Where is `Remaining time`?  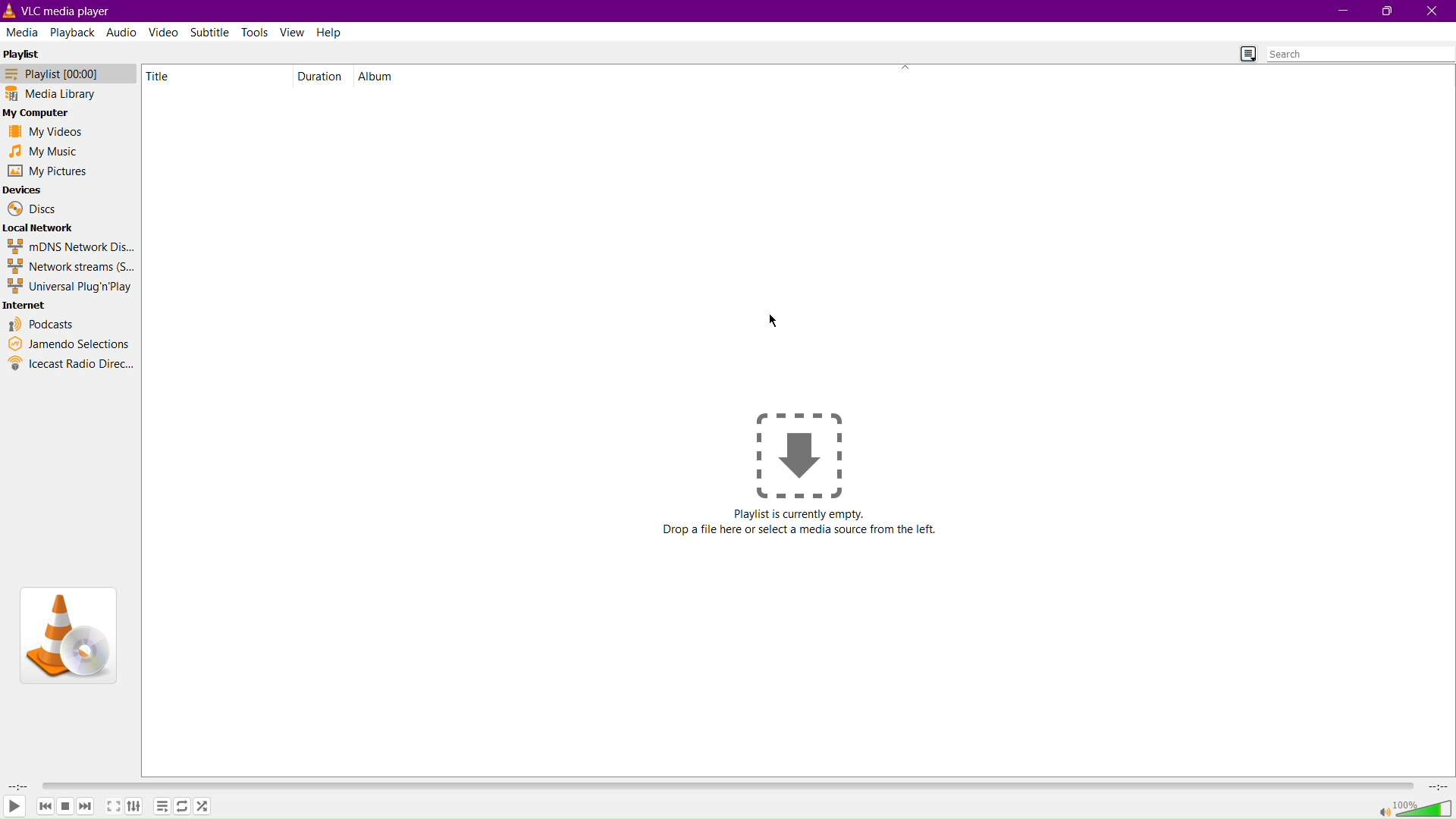 Remaining time is located at coordinates (1439, 786).